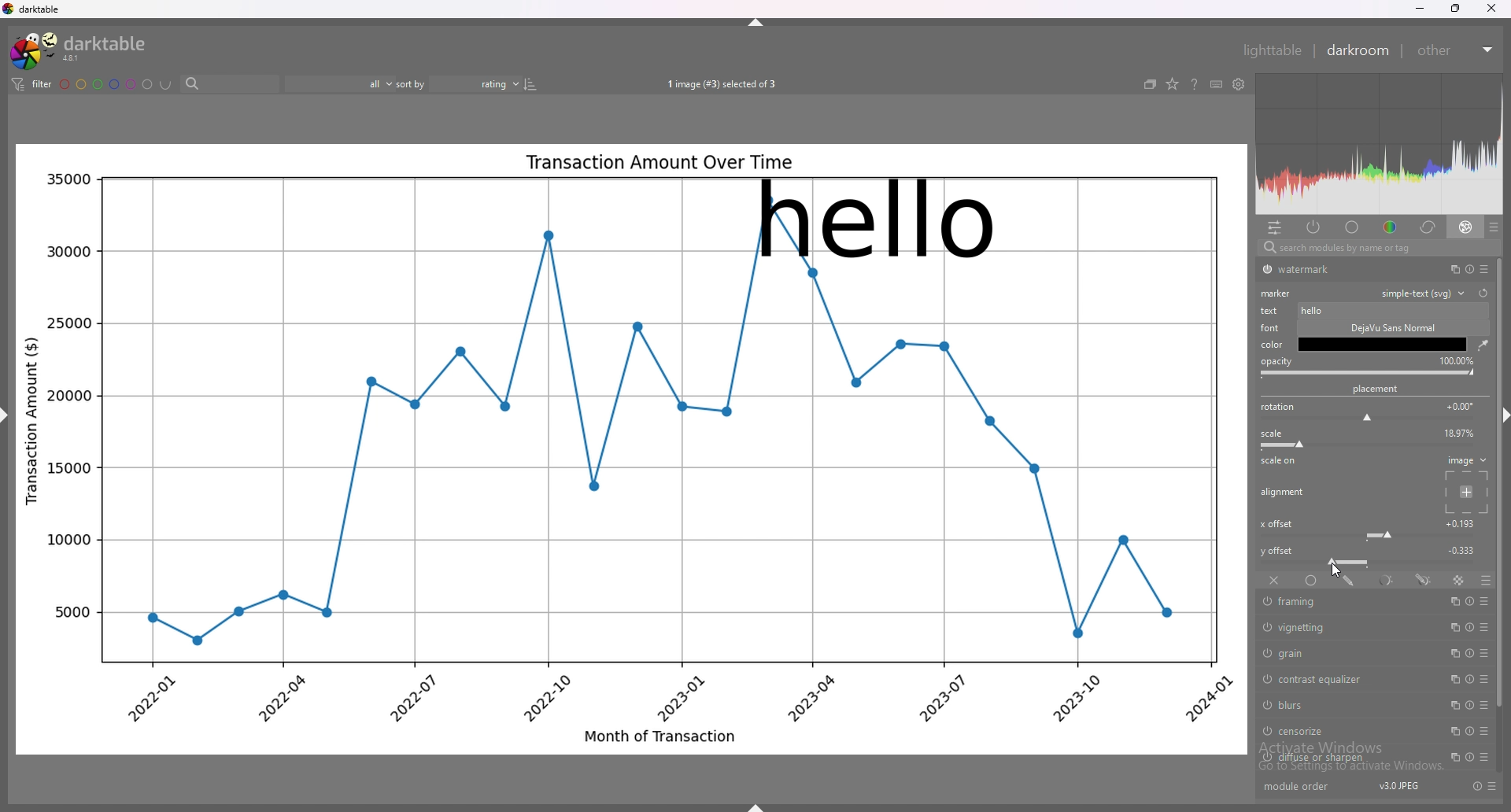 This screenshot has width=1511, height=812. I want to click on scale bar, so click(1369, 445).